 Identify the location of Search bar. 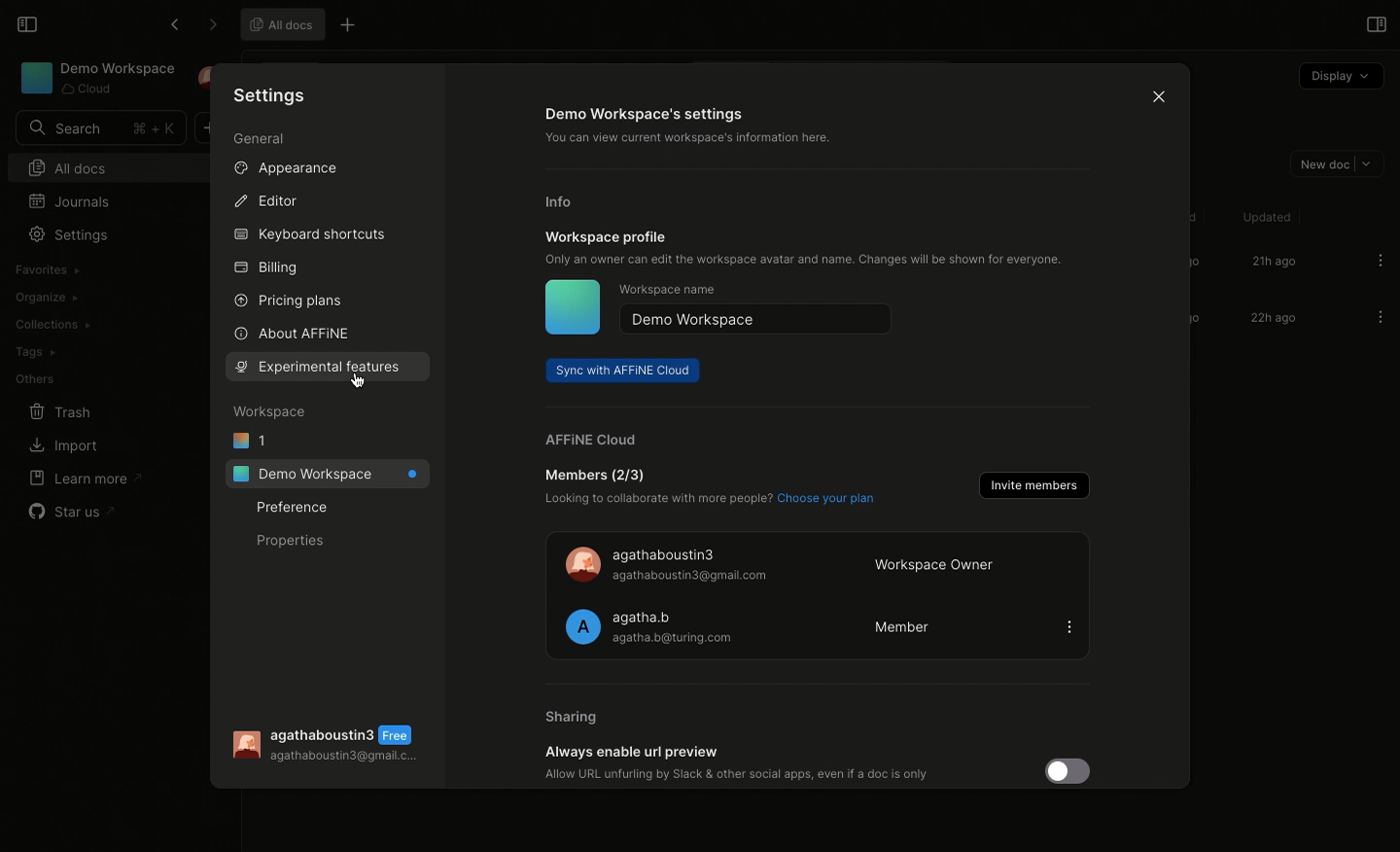
(98, 128).